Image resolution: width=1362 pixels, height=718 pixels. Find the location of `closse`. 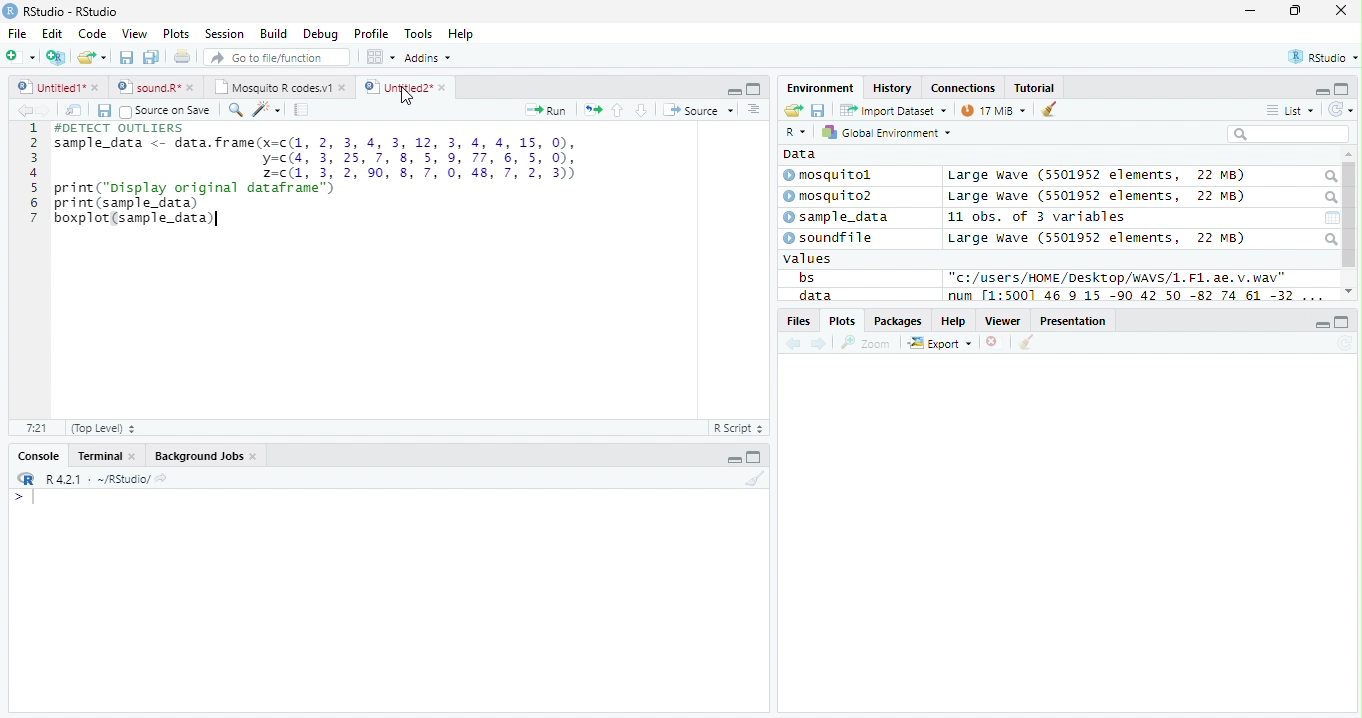

closse is located at coordinates (1342, 10).